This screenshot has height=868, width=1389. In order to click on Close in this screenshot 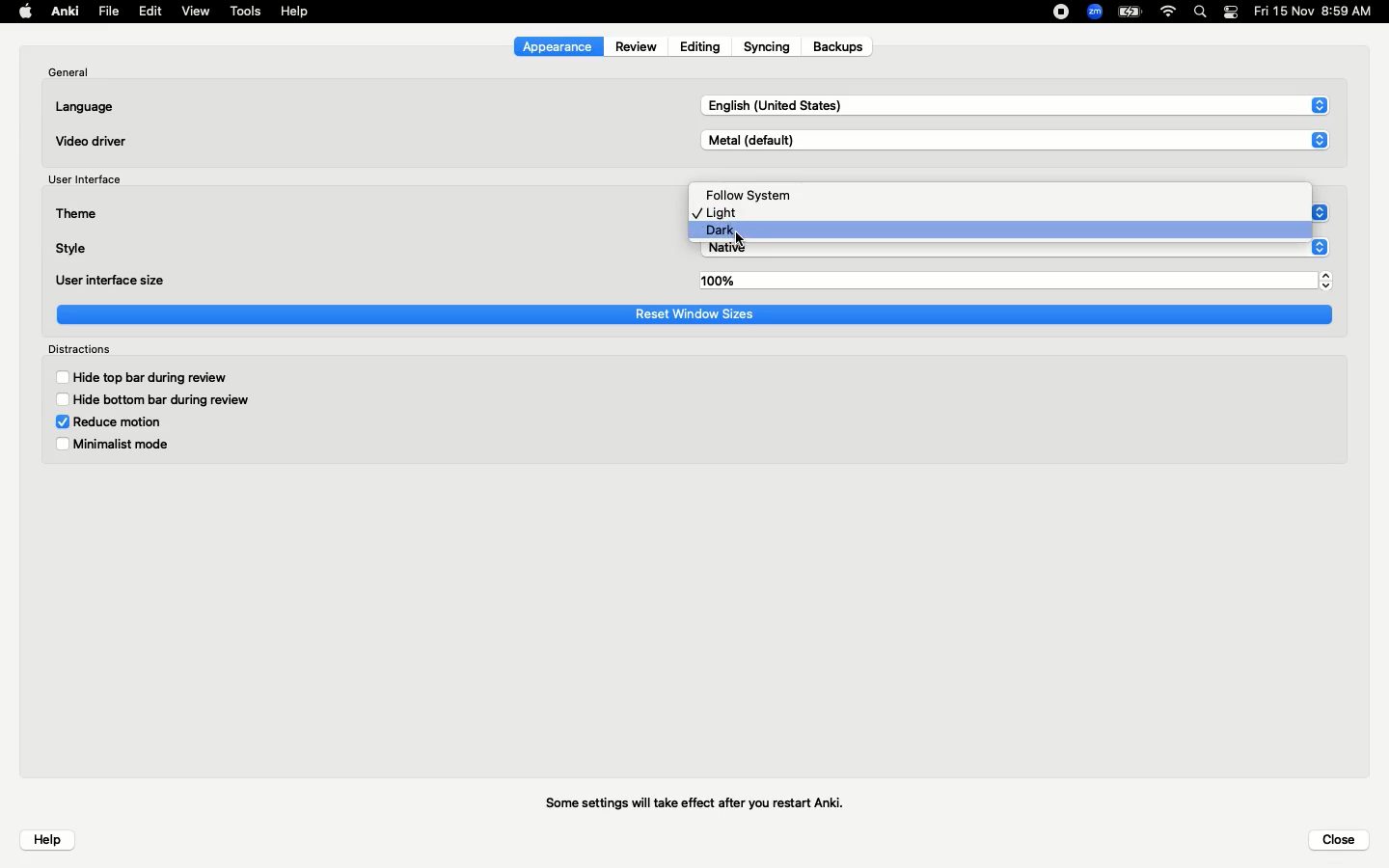, I will do `click(1343, 840)`.